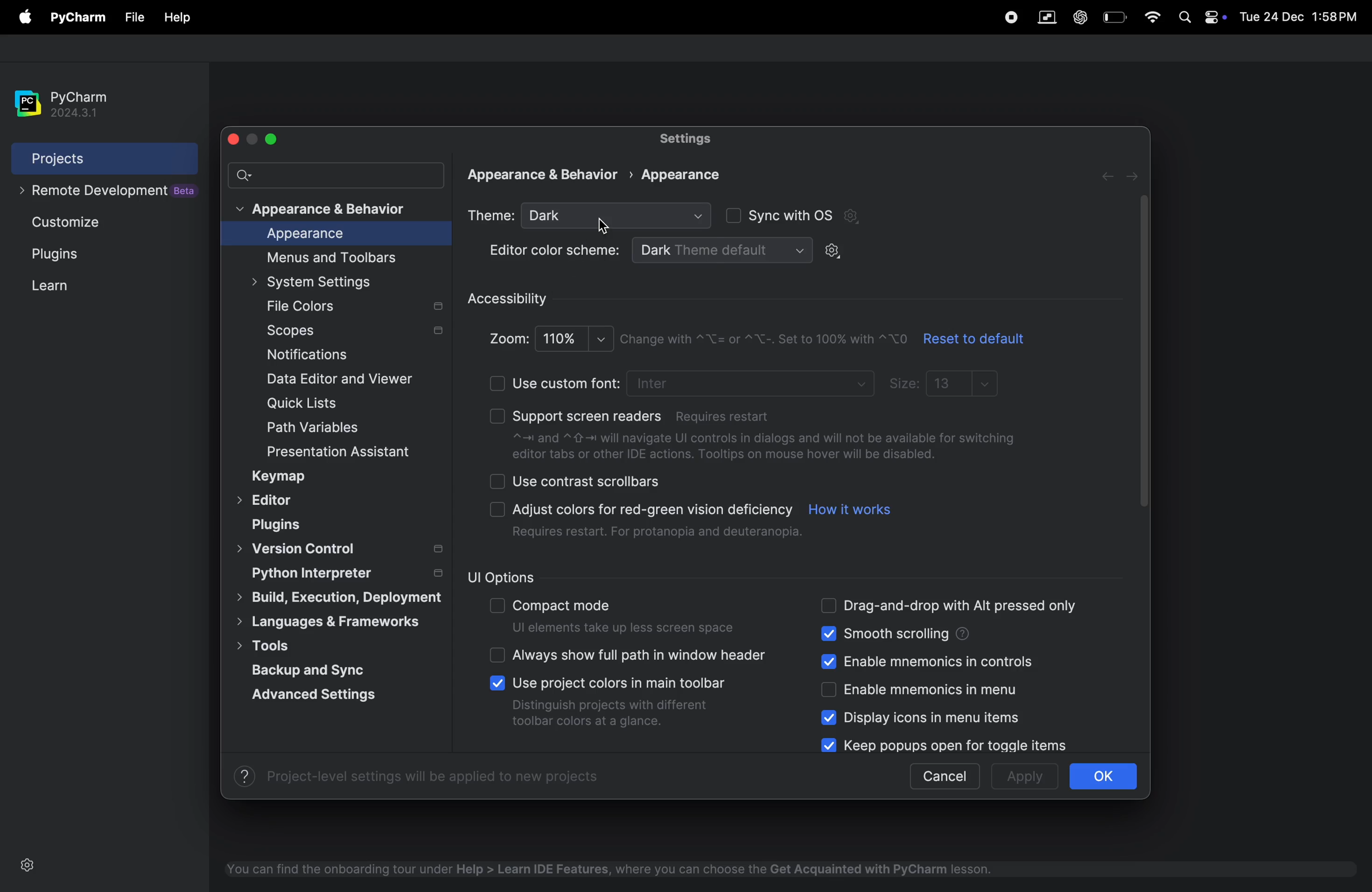  Describe the element at coordinates (344, 623) in the screenshot. I see `languages & frameworks` at that location.